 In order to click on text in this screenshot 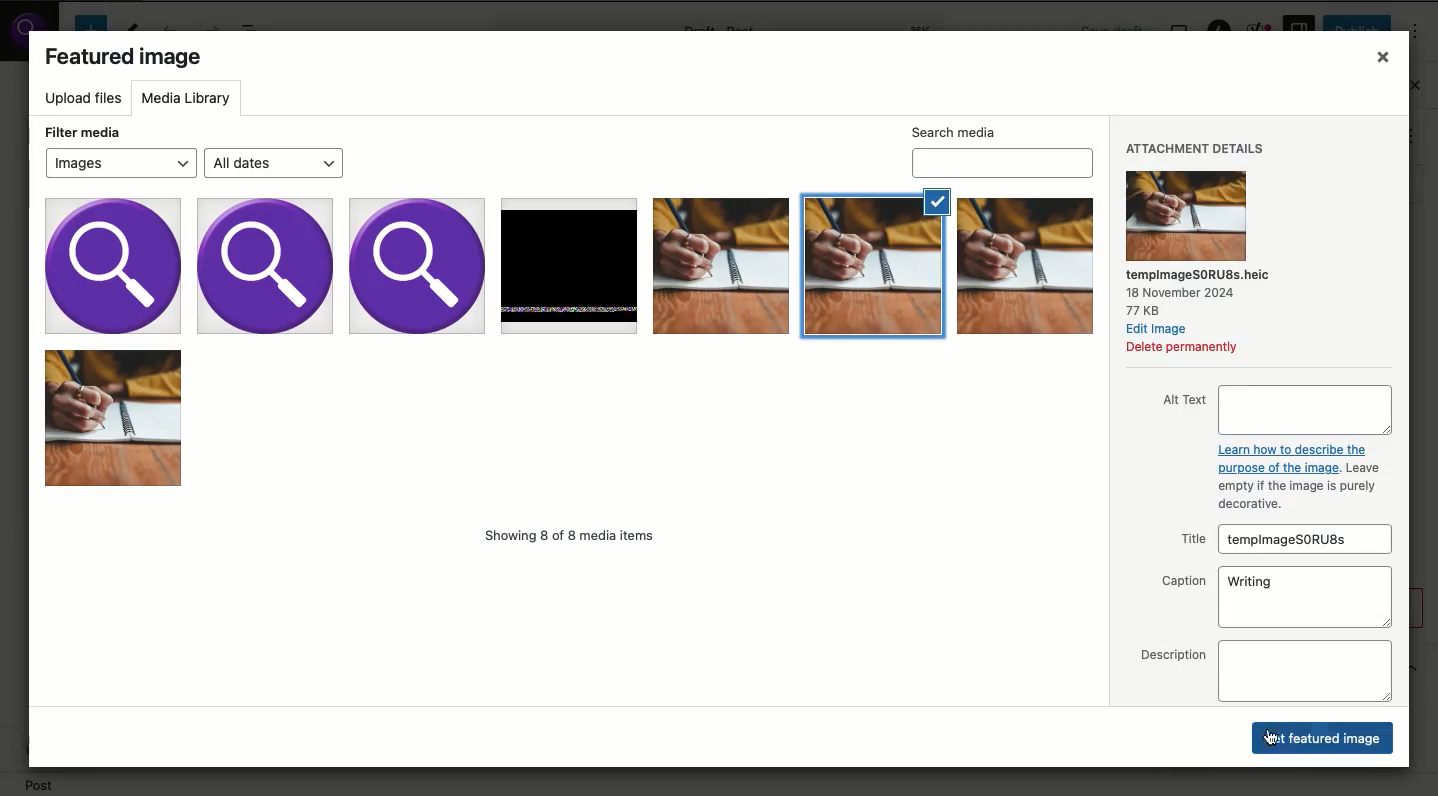, I will do `click(1362, 467)`.